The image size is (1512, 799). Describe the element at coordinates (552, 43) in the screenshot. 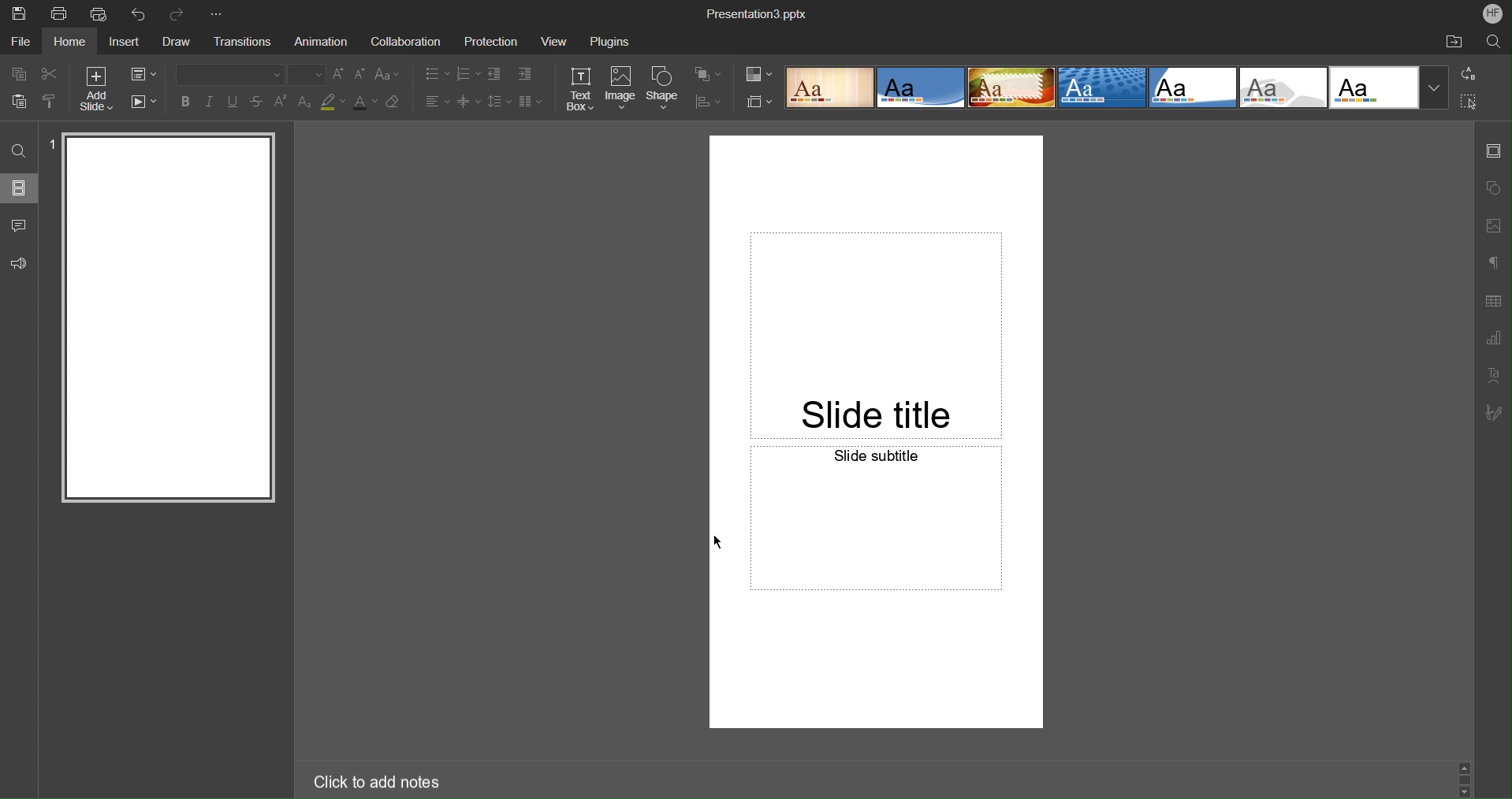

I see `View` at that location.